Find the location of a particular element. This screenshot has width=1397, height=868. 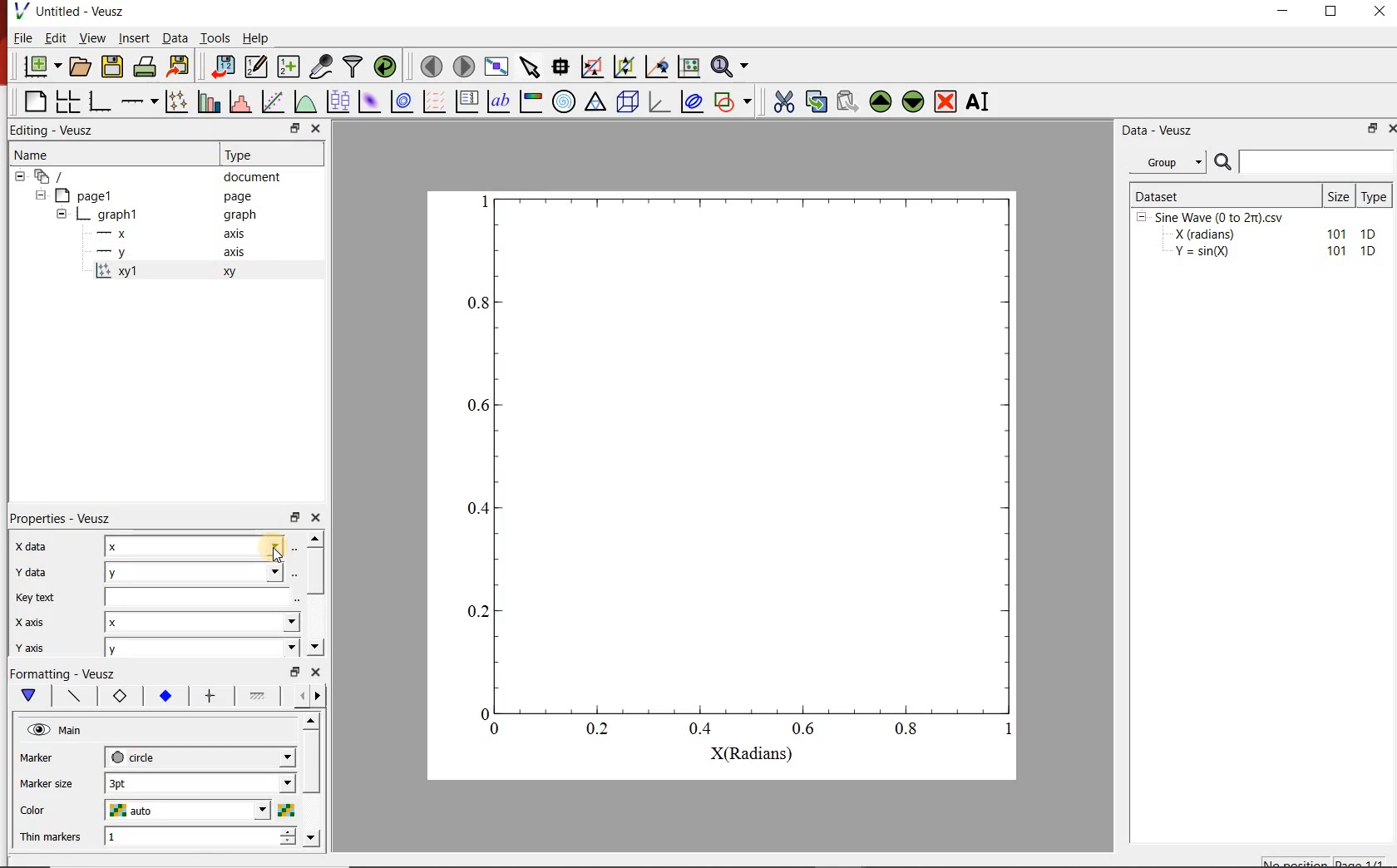

Up is located at coordinates (310, 722).